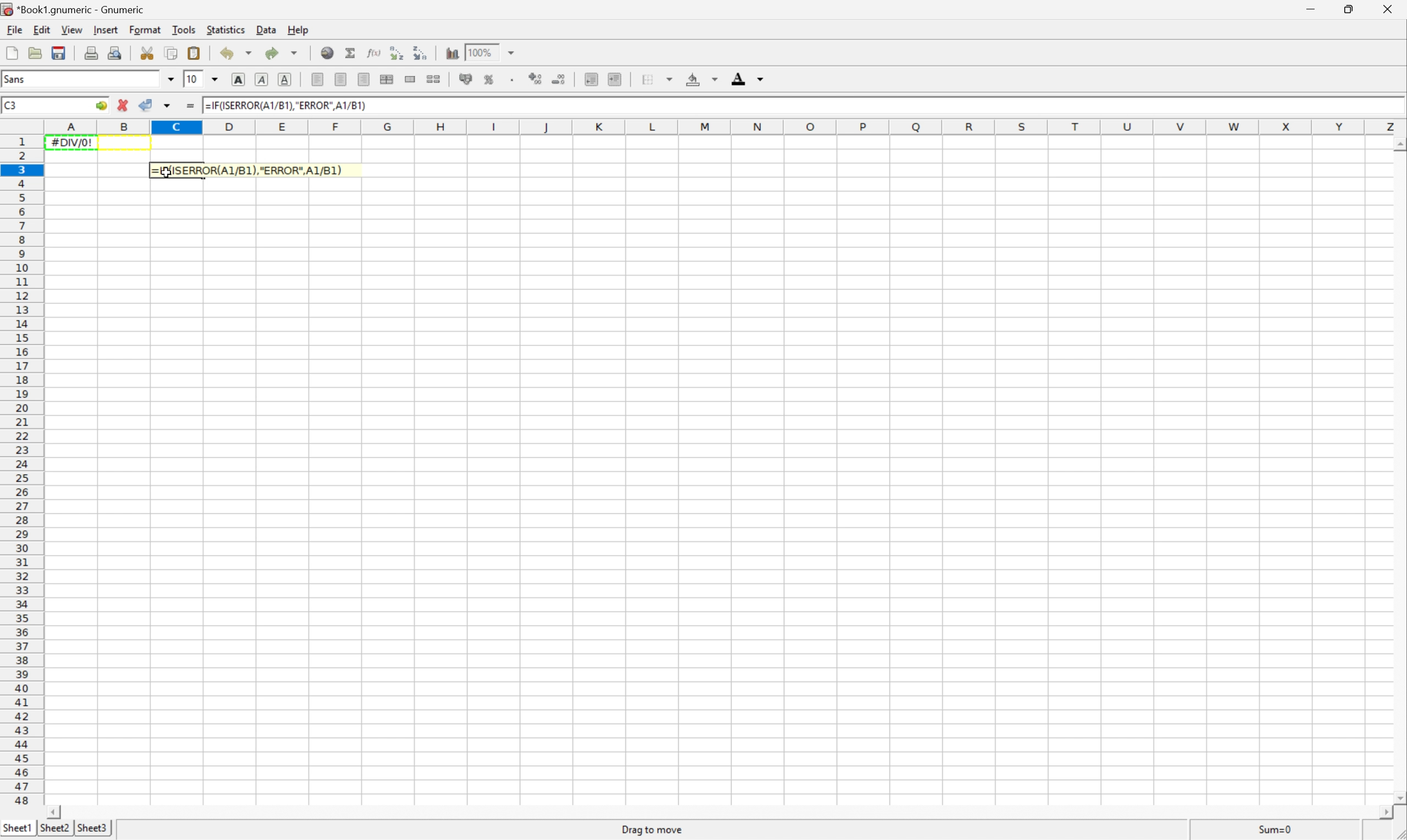 This screenshot has height=840, width=1407. I want to click on Sum into the current cell, so click(349, 54).